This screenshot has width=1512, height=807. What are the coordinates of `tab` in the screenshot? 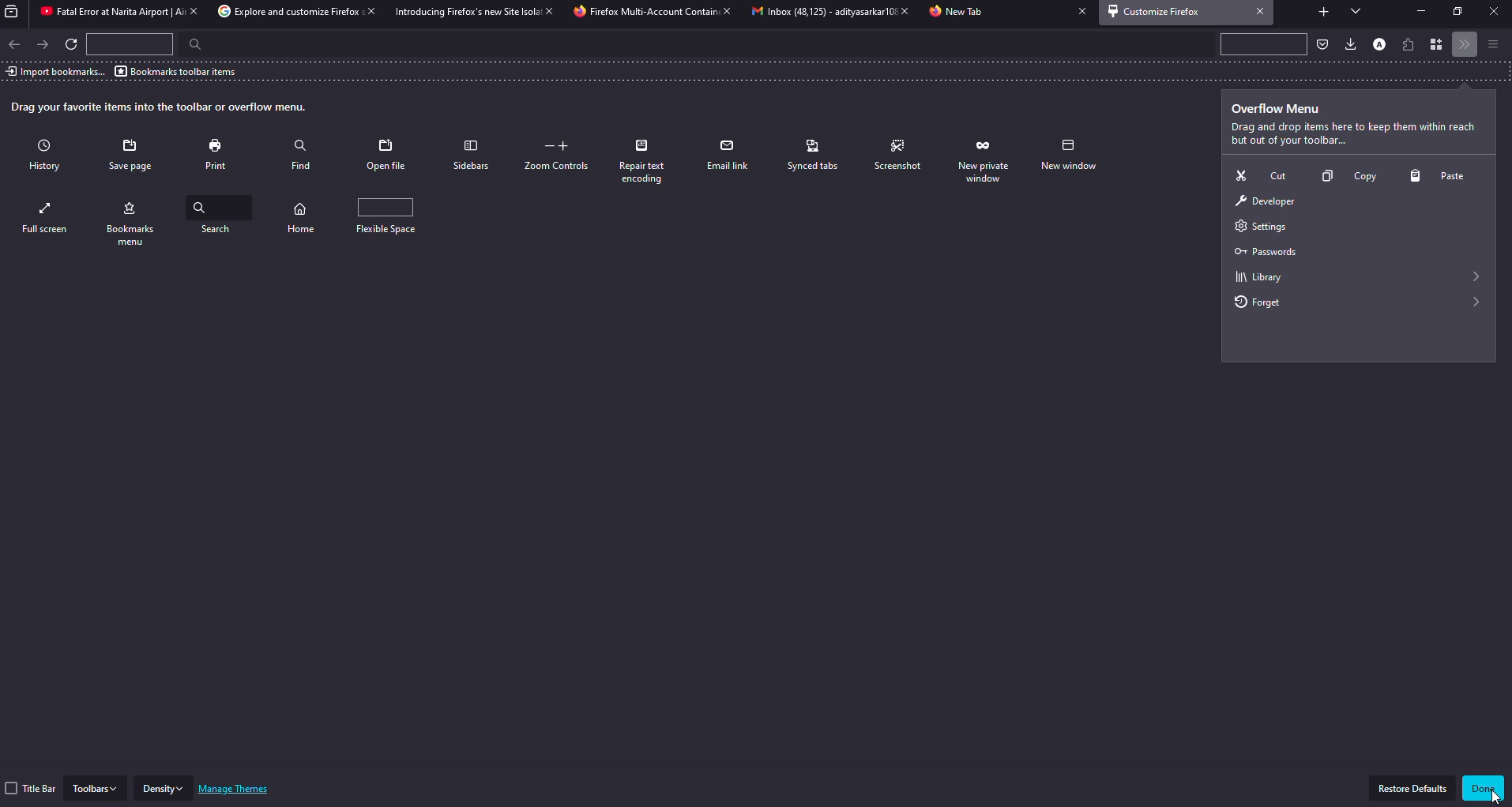 It's located at (280, 12).